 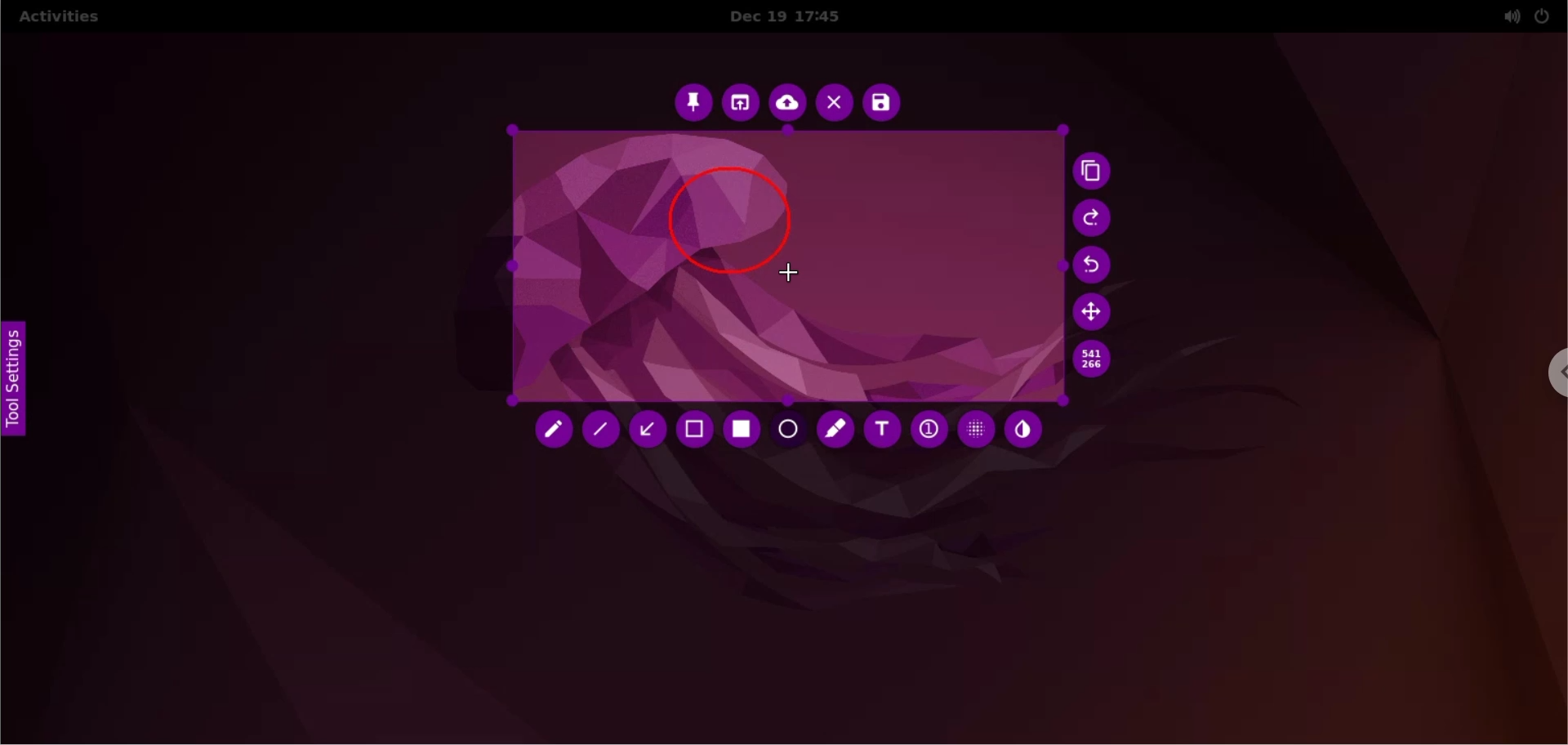 What do you see at coordinates (728, 214) in the screenshot?
I see `circle` at bounding box center [728, 214].